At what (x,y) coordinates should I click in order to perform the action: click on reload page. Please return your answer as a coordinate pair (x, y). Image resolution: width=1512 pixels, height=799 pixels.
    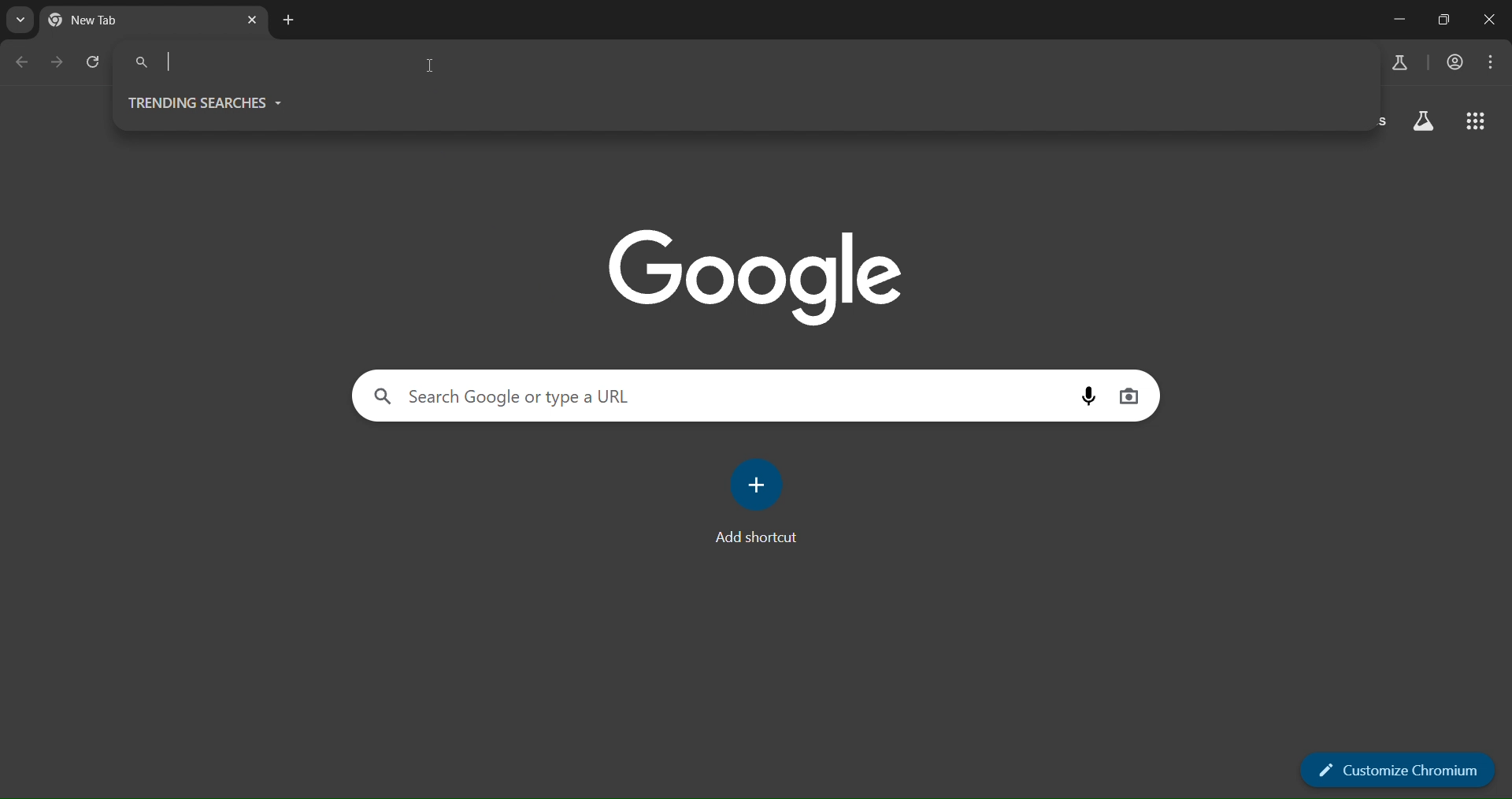
    Looking at the image, I should click on (94, 61).